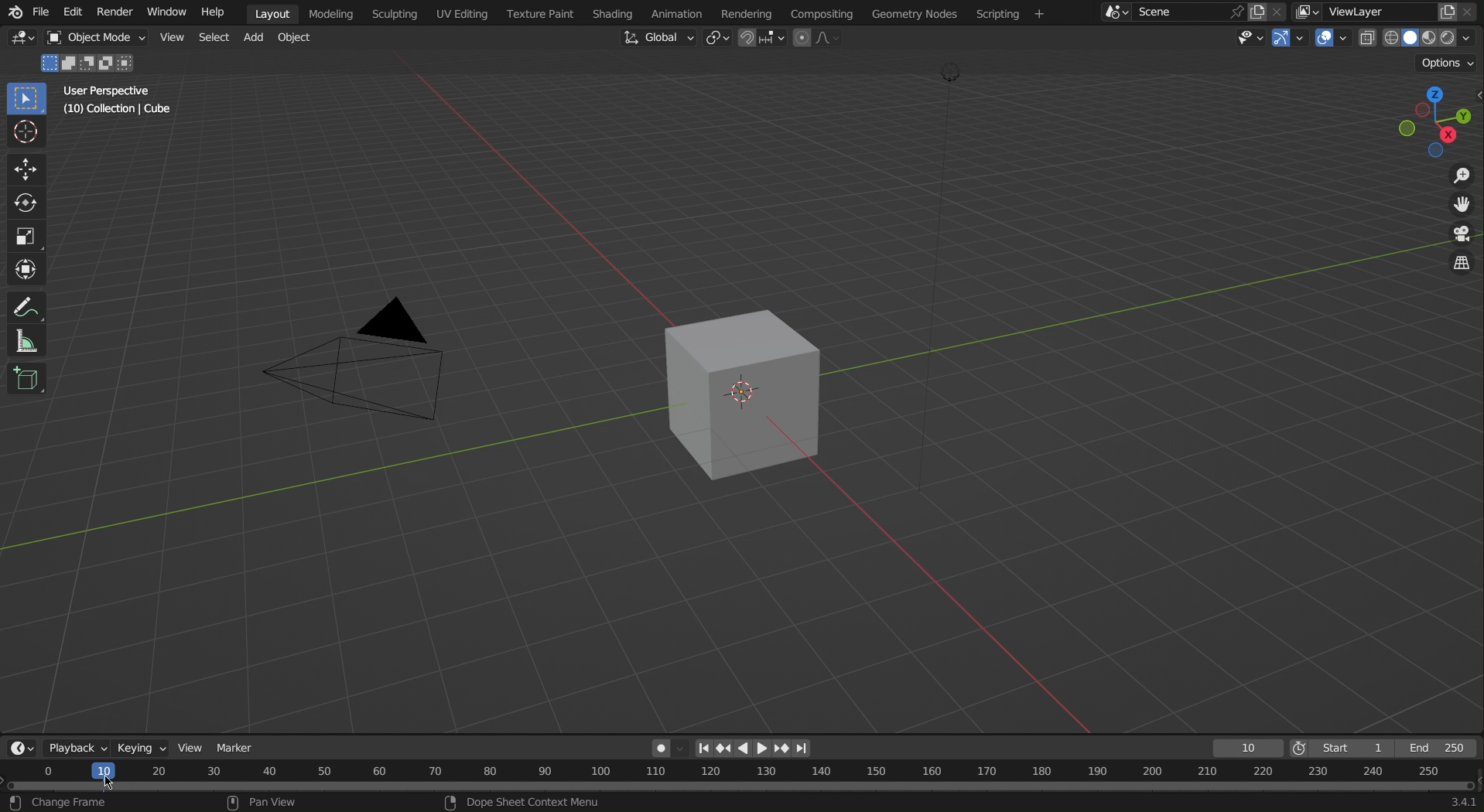 The width and height of the screenshot is (1484, 812). What do you see at coordinates (115, 784) in the screenshot?
I see `Cursor` at bounding box center [115, 784].